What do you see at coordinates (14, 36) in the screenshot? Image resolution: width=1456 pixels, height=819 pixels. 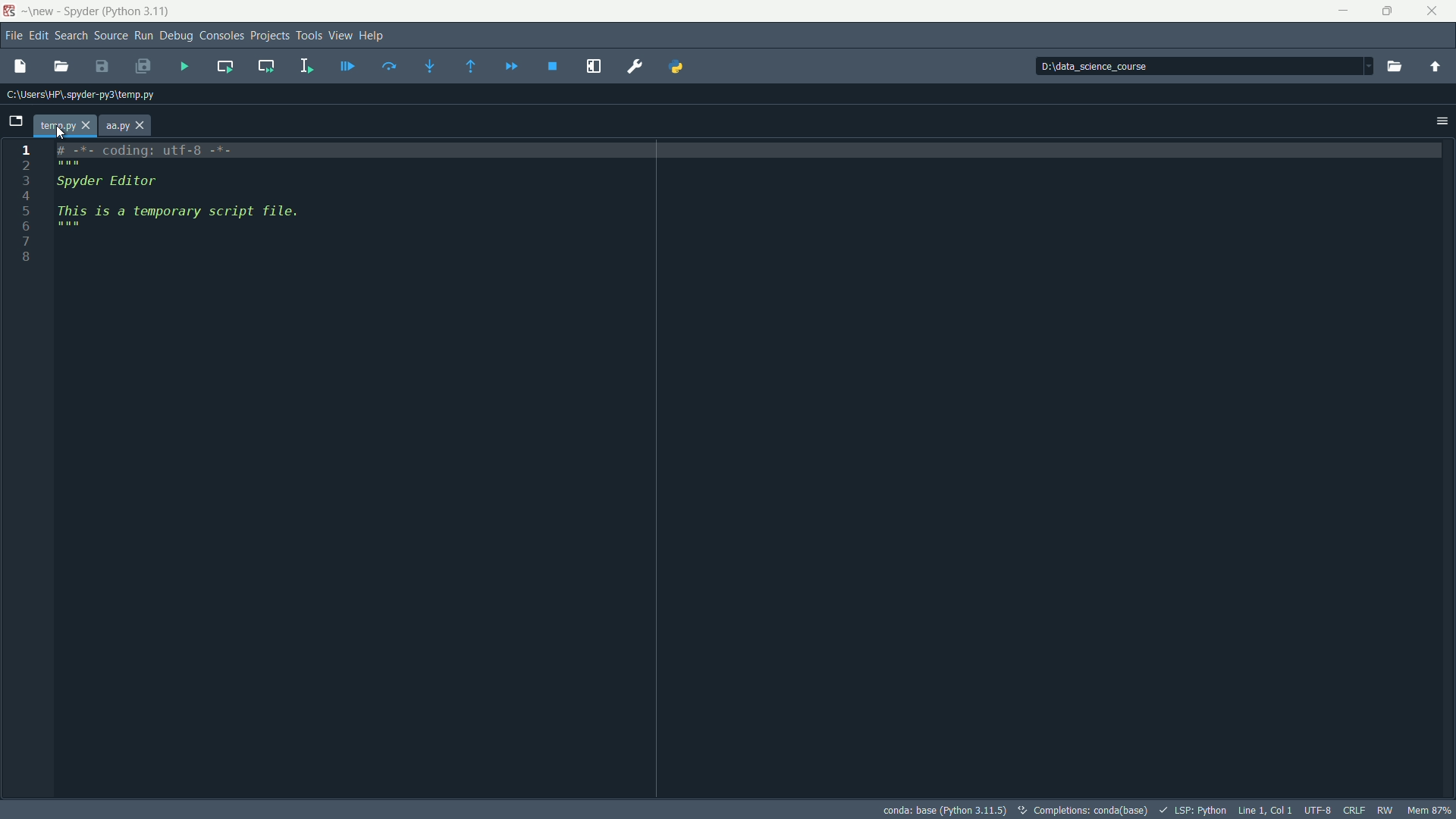 I see `file menu` at bounding box center [14, 36].